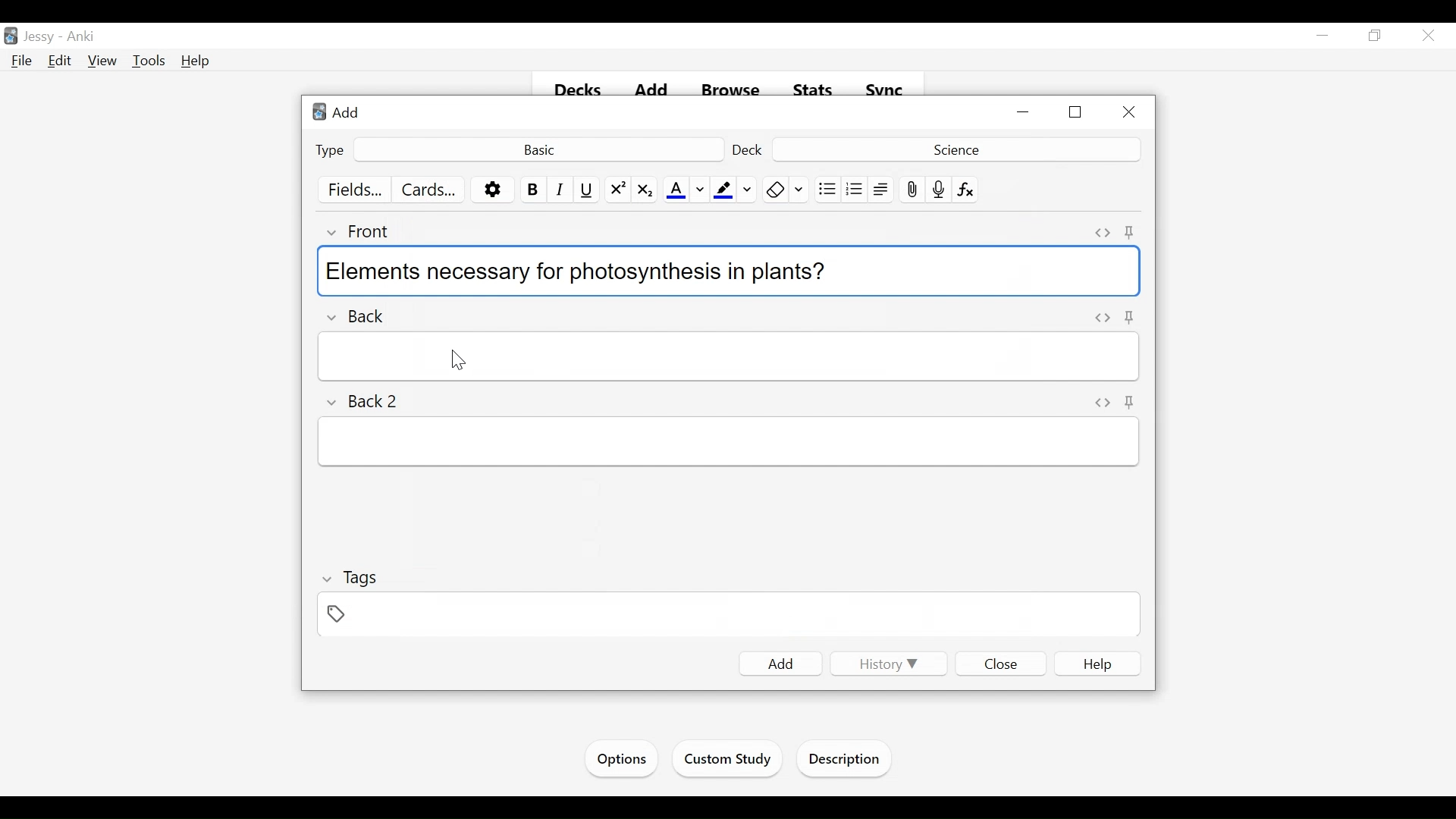 The image size is (1456, 819). I want to click on Toggle HTML Editor, so click(1132, 318).